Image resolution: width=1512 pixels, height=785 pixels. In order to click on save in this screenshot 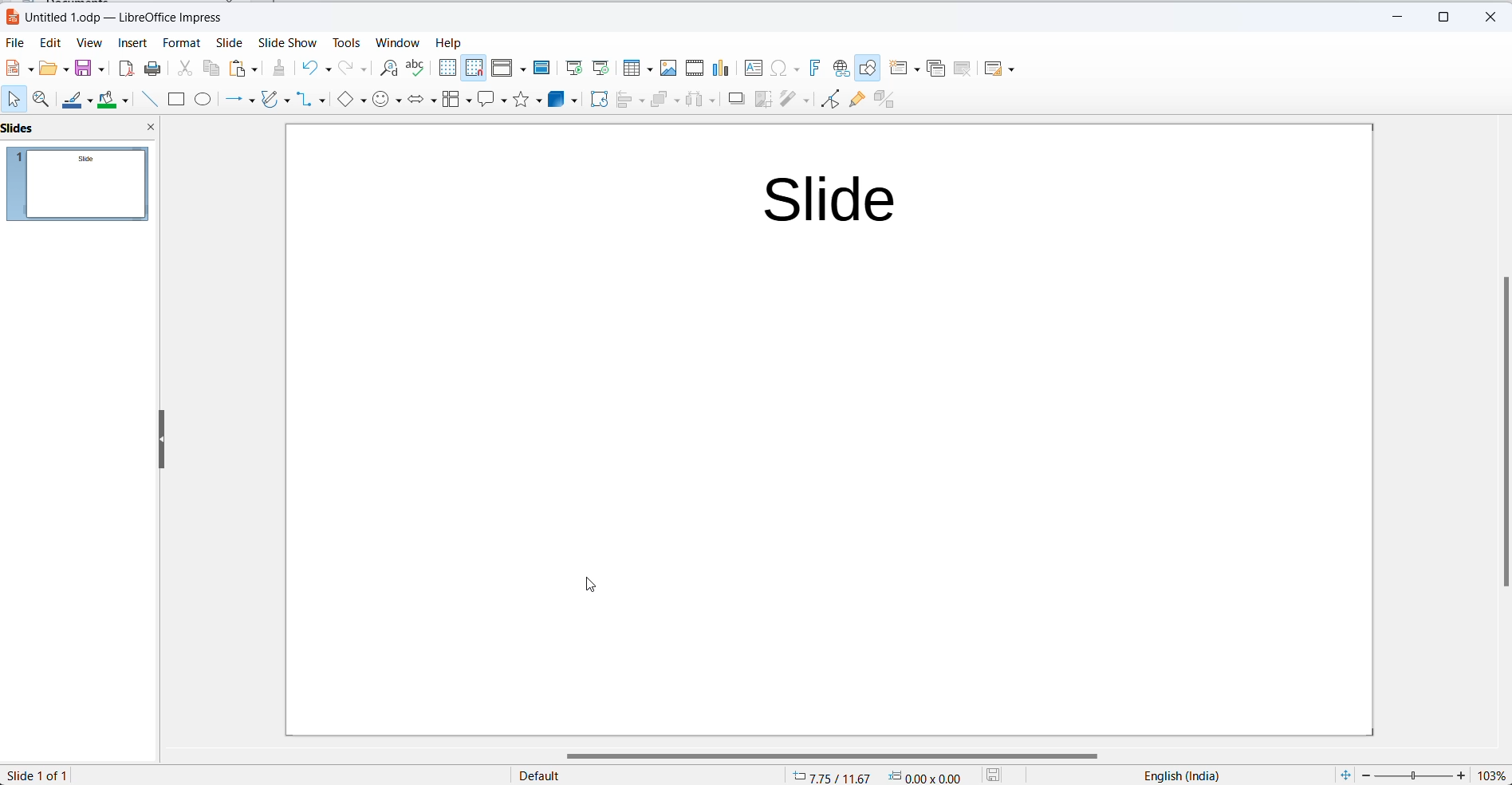, I will do `click(89, 70)`.